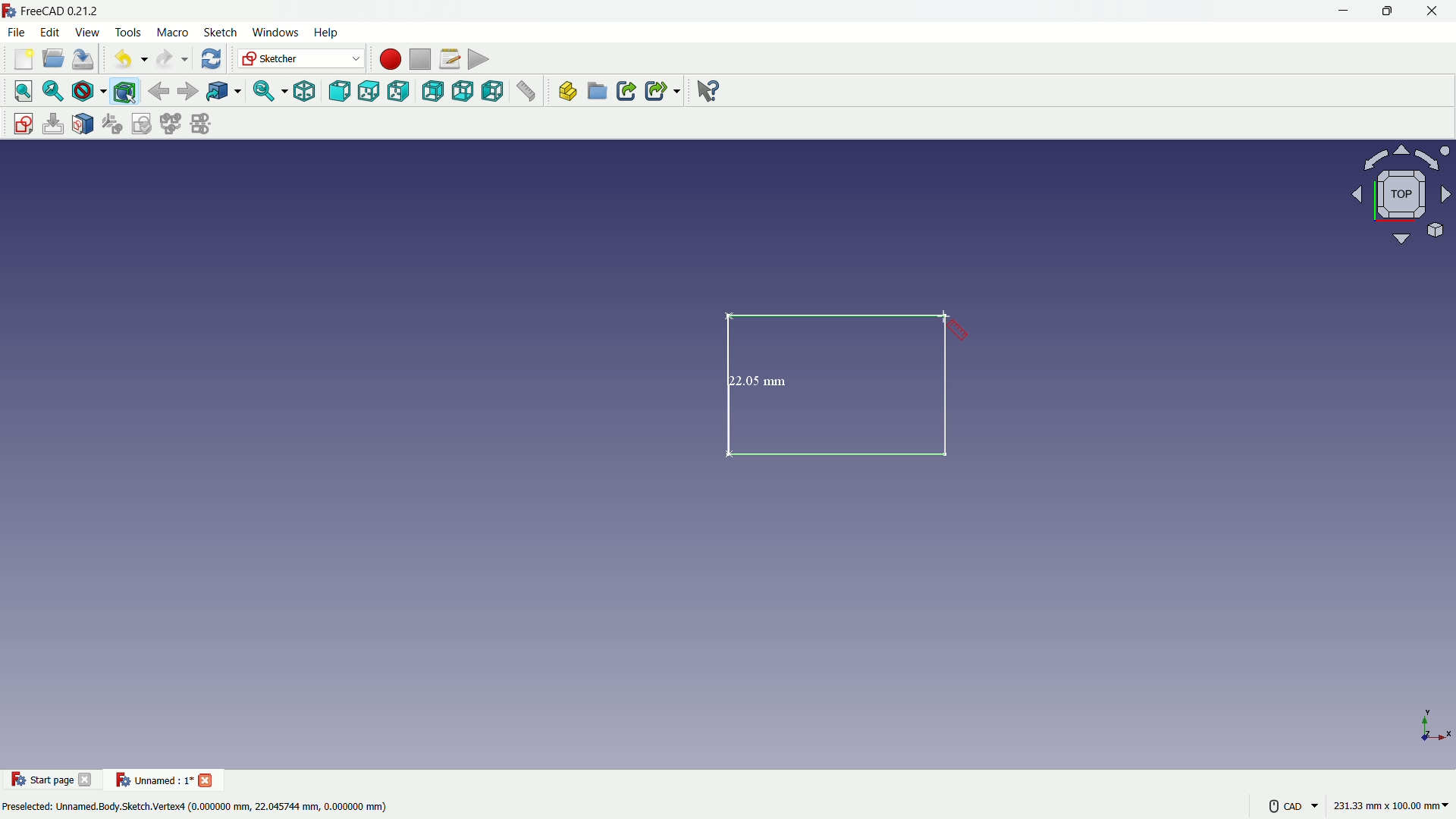 This screenshot has width=1456, height=819. I want to click on save, so click(84, 59).